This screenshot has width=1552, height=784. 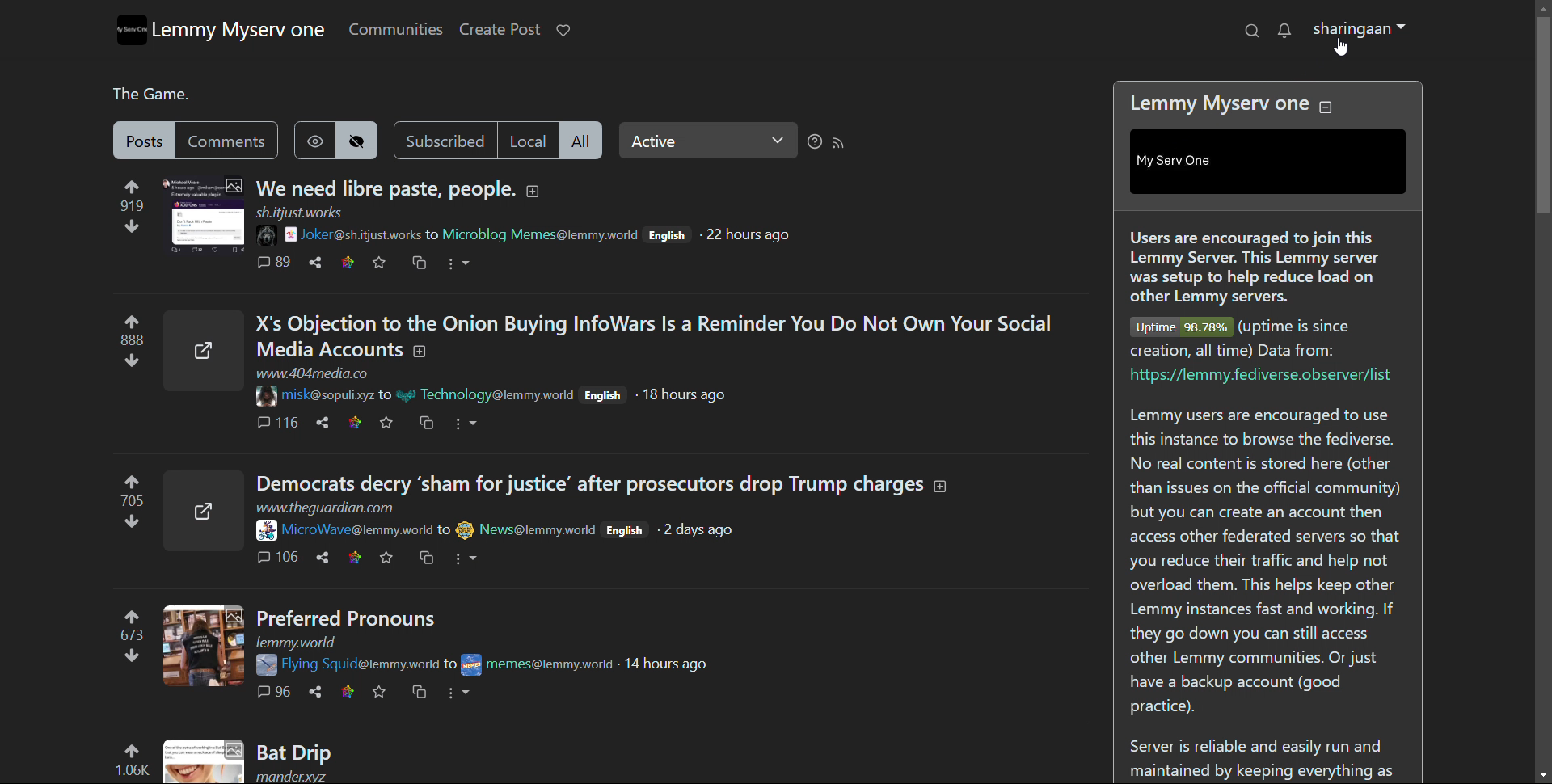 I want to click on poster display picture, so click(x=406, y=396).